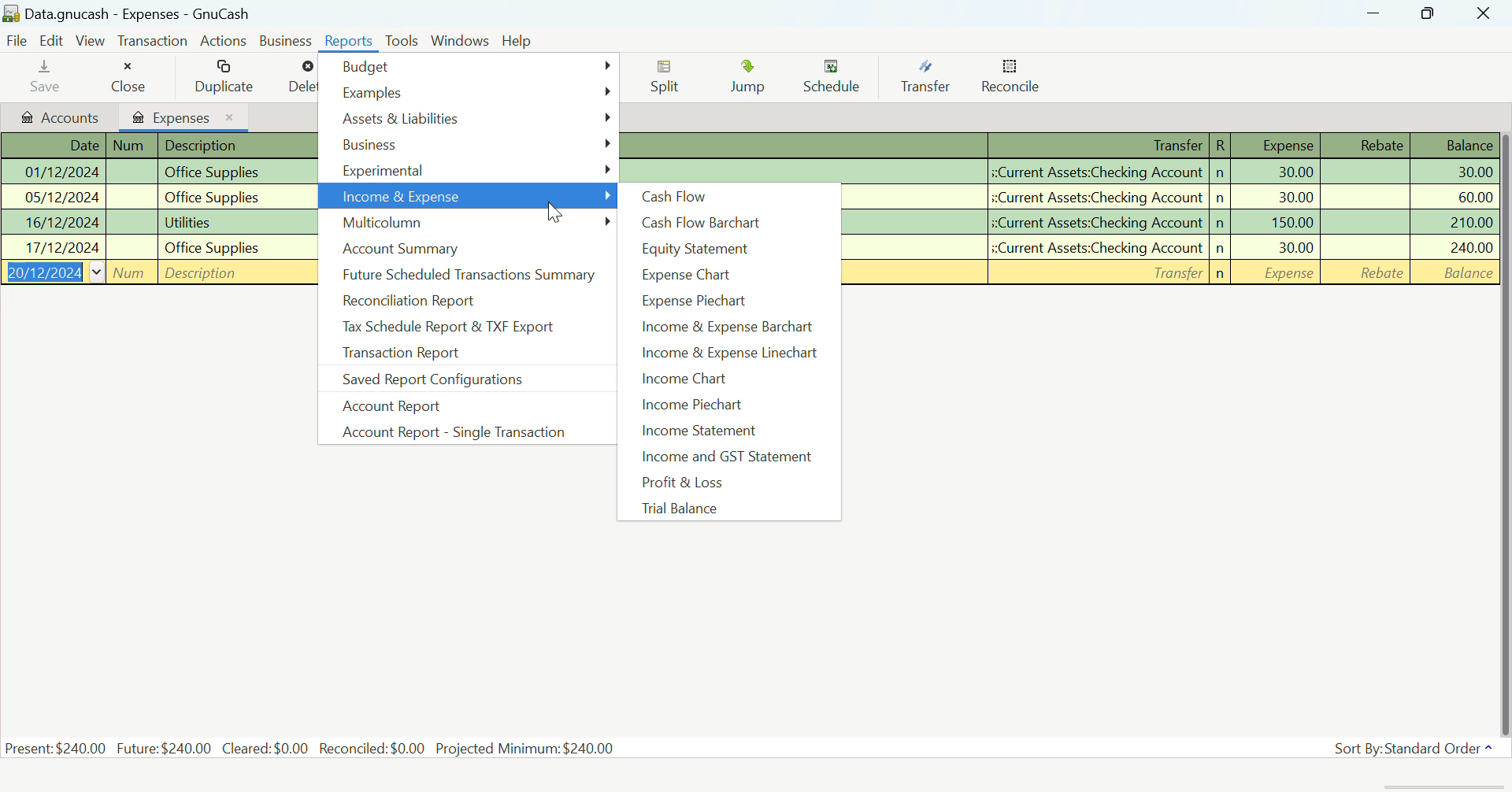 Image resolution: width=1512 pixels, height=792 pixels. What do you see at coordinates (469, 196) in the screenshot?
I see `Income & Expense` at bounding box center [469, 196].